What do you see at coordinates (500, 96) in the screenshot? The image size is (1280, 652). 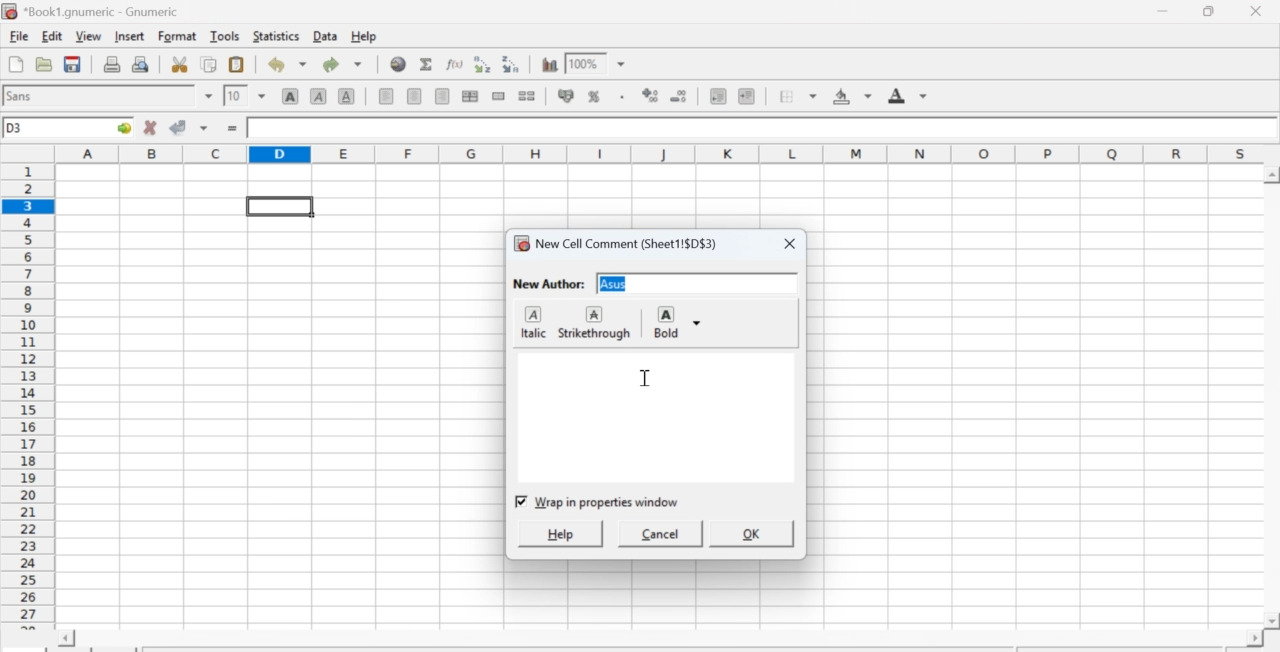 I see `Merge cells` at bounding box center [500, 96].